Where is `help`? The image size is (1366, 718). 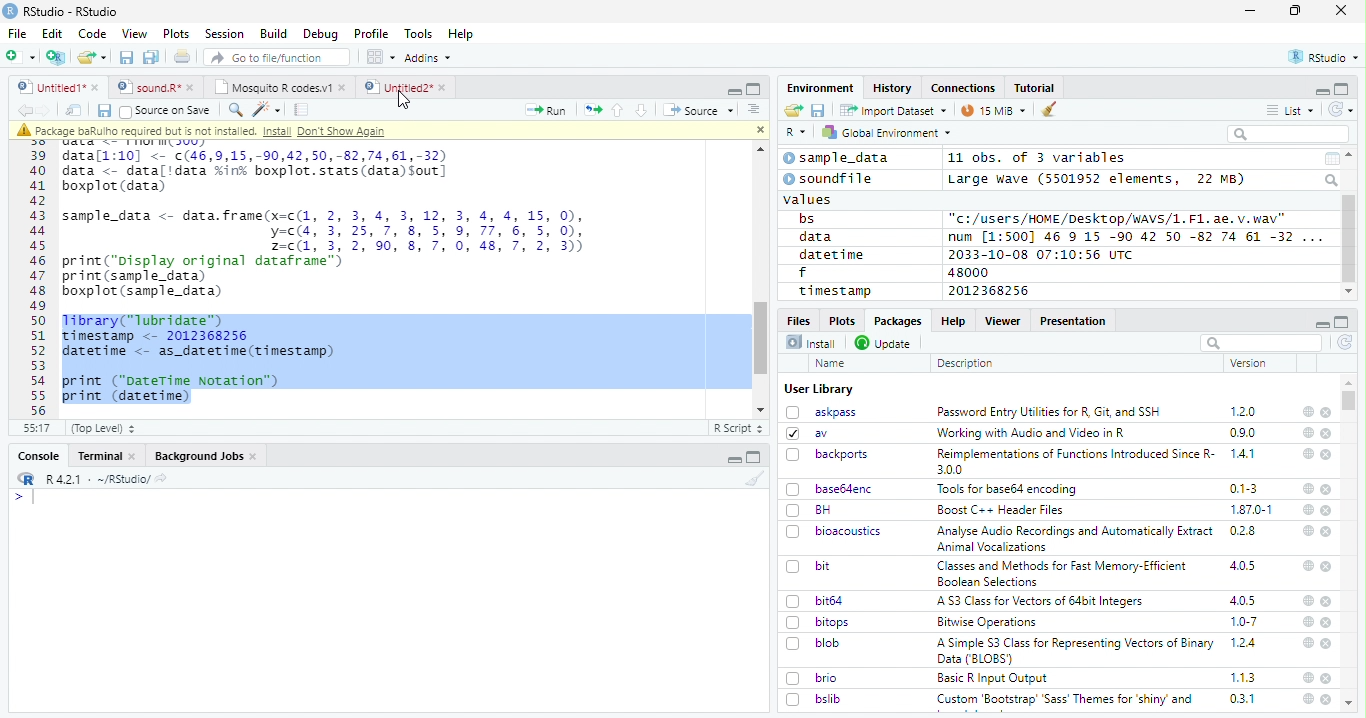
help is located at coordinates (1307, 699).